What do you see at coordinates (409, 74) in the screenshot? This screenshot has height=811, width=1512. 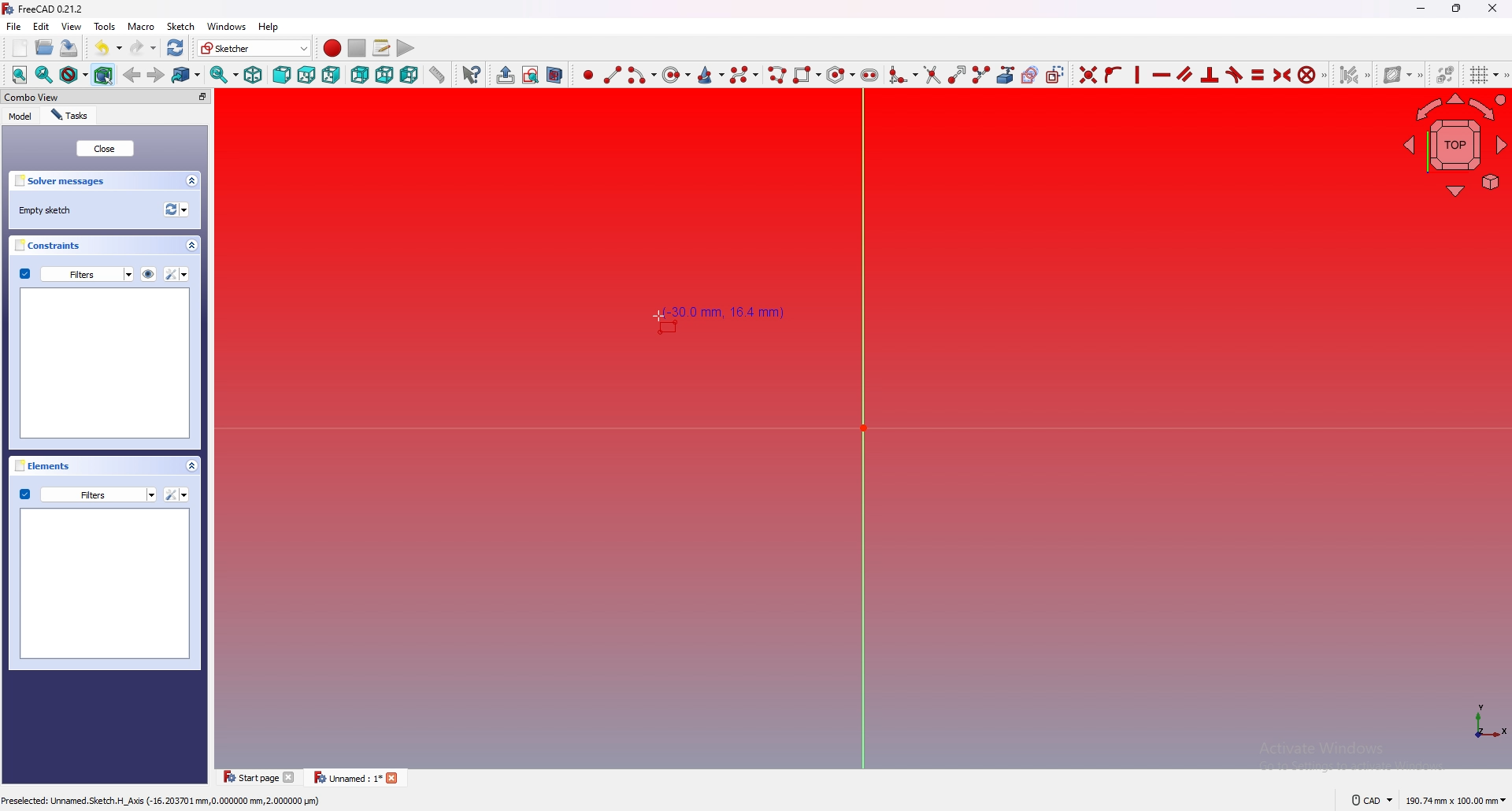 I see `left` at bounding box center [409, 74].